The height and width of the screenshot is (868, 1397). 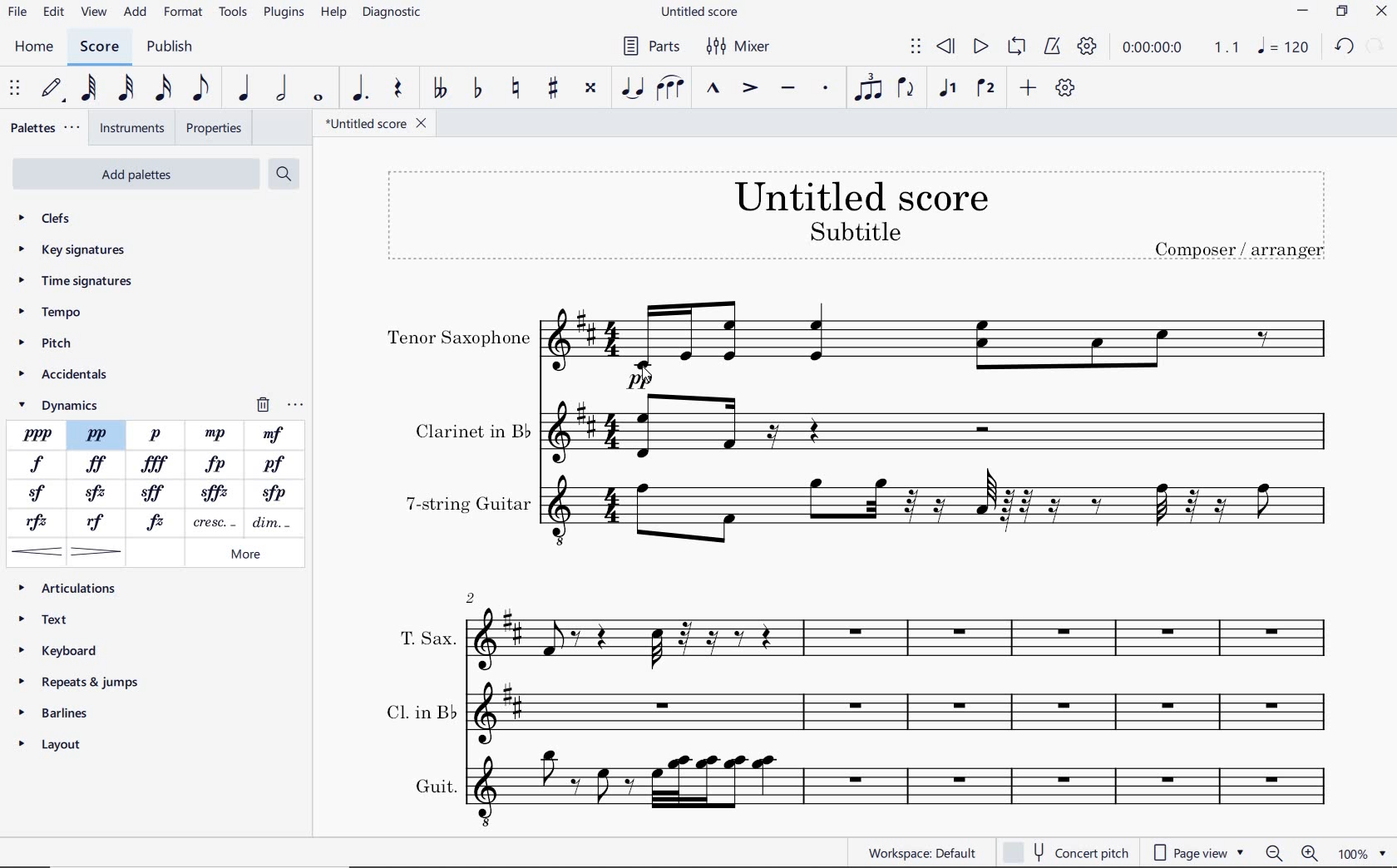 I want to click on FILE NAME, so click(x=699, y=13).